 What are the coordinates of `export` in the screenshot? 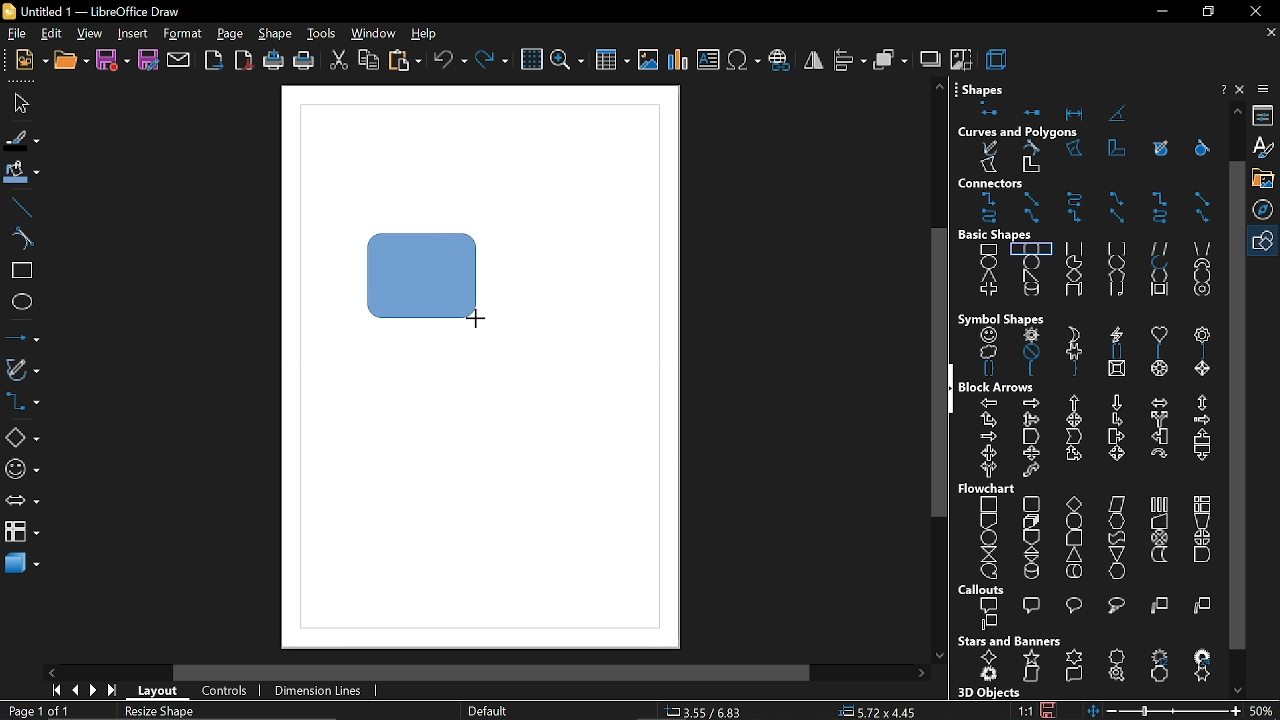 It's located at (215, 62).